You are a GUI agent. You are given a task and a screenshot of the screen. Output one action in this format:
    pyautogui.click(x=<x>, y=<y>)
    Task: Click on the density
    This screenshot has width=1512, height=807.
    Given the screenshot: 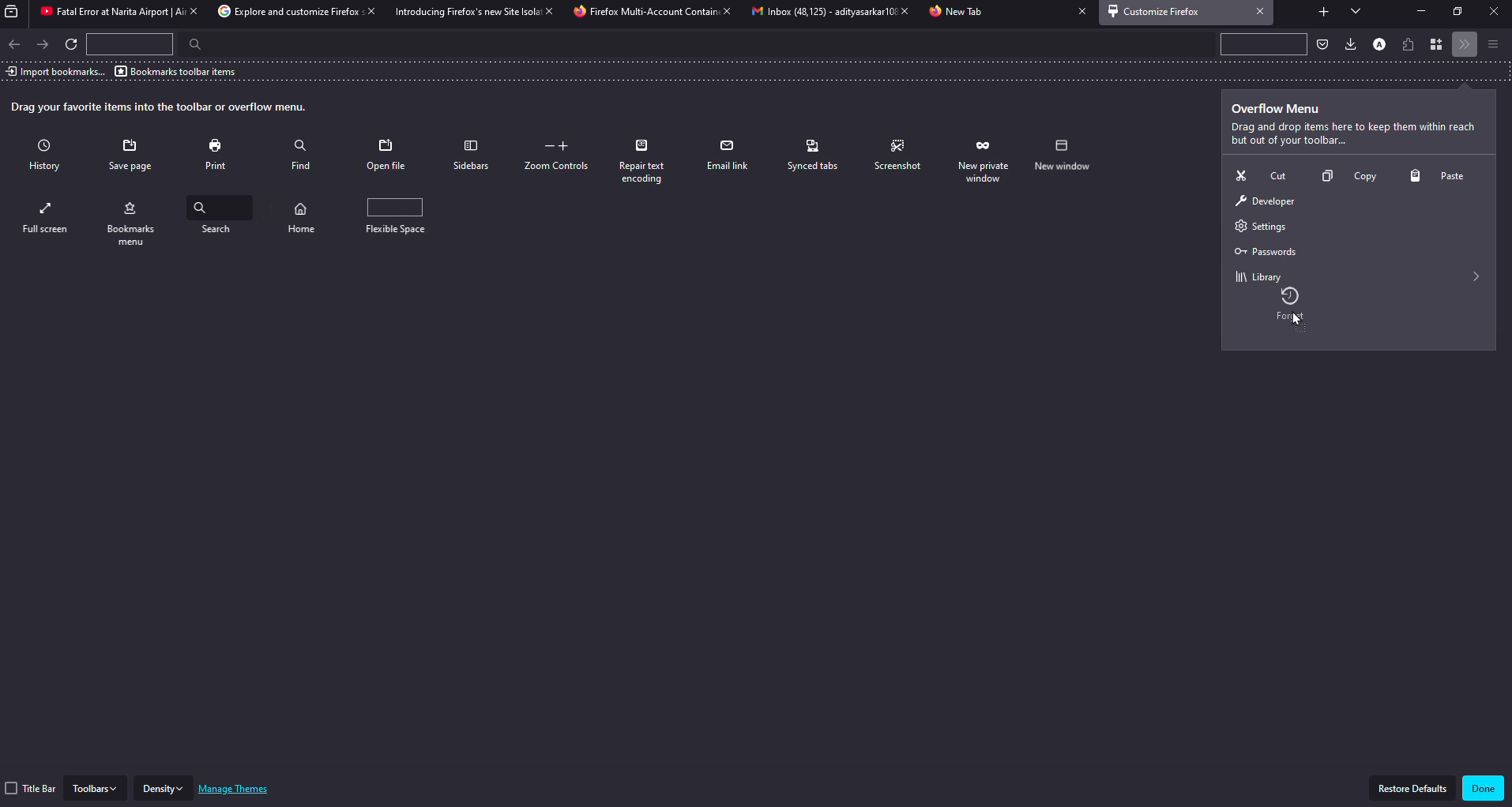 What is the action you would take?
    pyautogui.click(x=164, y=788)
    